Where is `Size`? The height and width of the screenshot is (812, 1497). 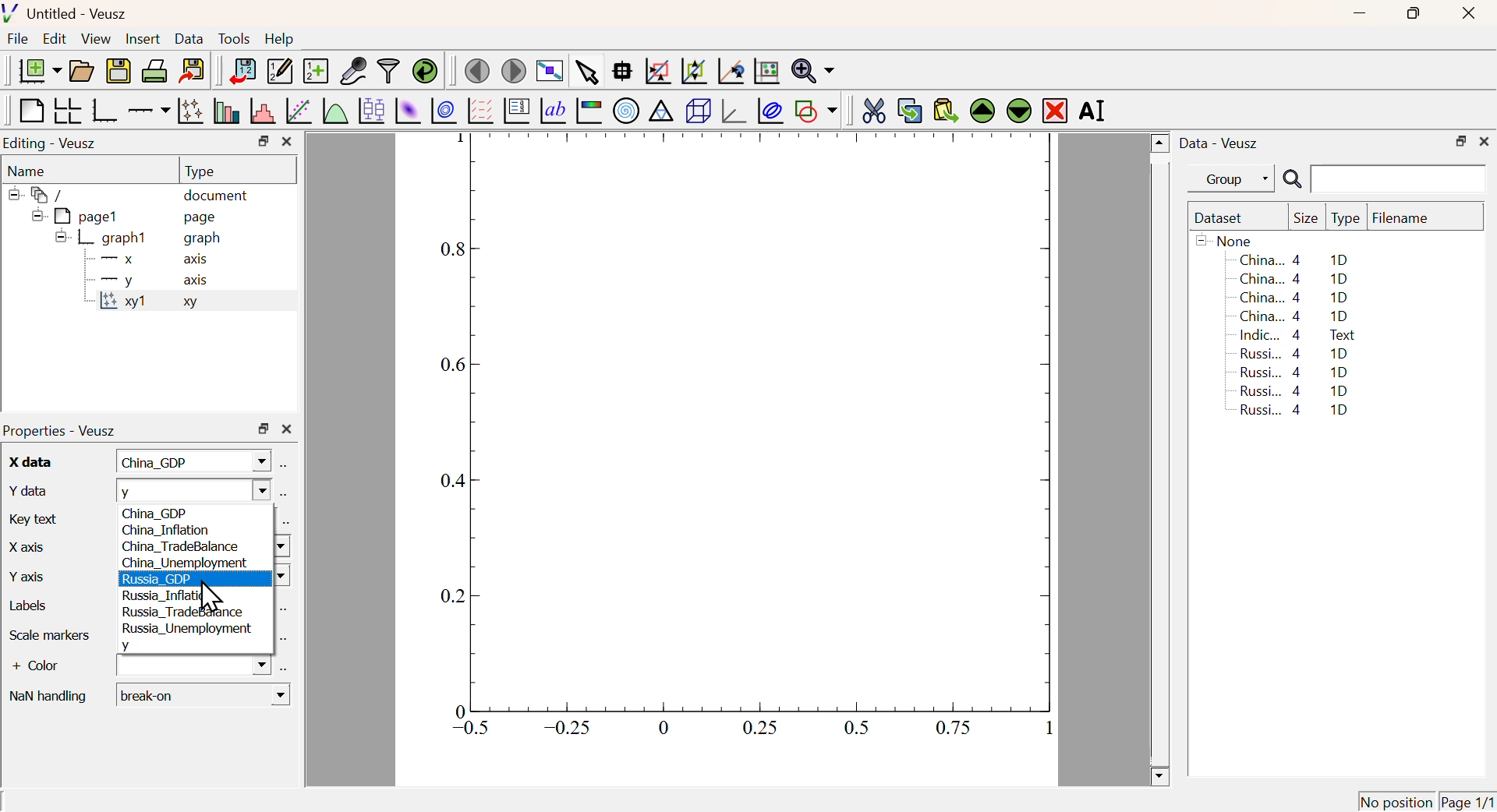 Size is located at coordinates (1306, 219).